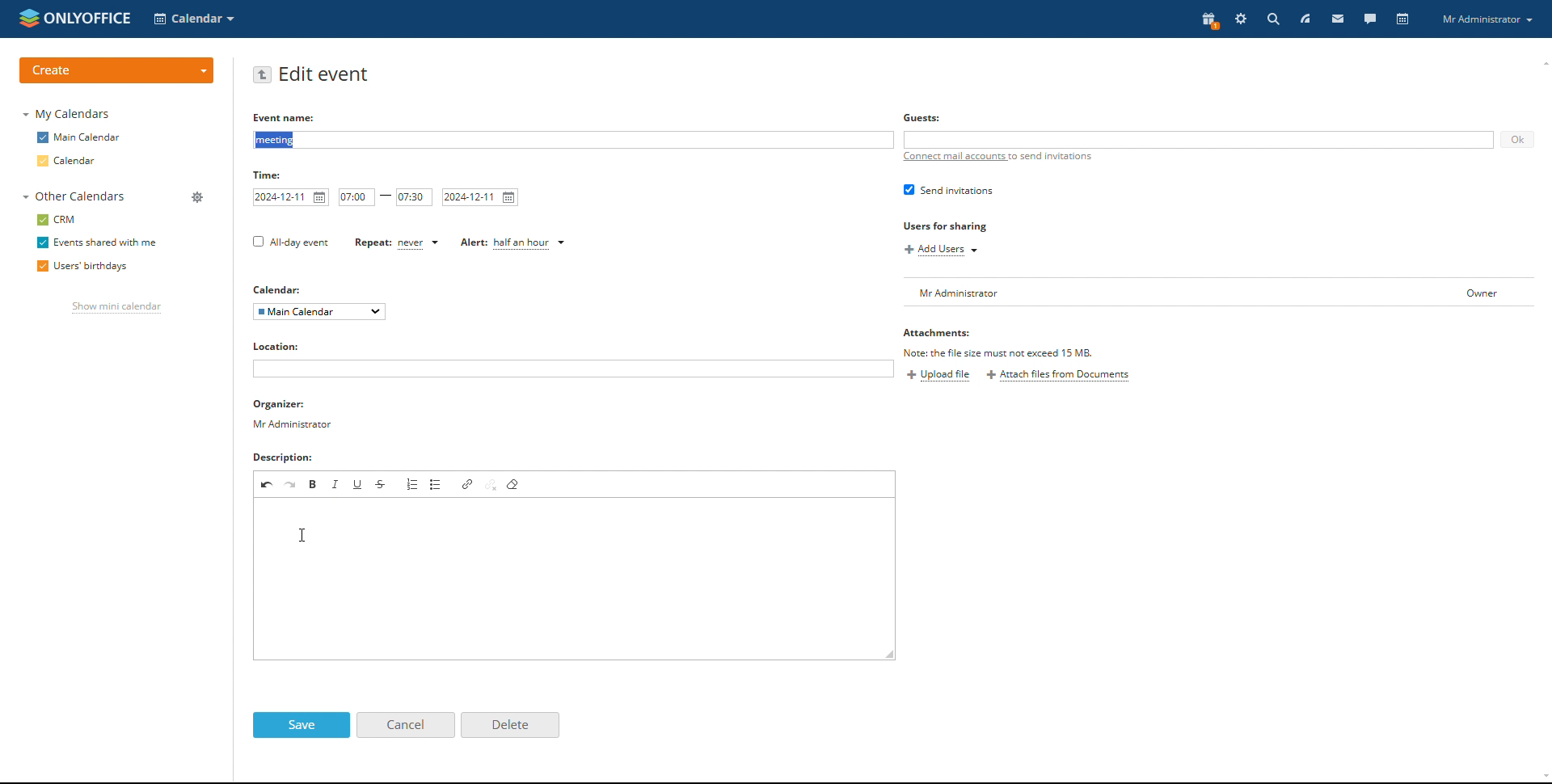 Image resolution: width=1552 pixels, height=784 pixels. Describe the element at coordinates (473, 243) in the screenshot. I see `Alert:` at that location.